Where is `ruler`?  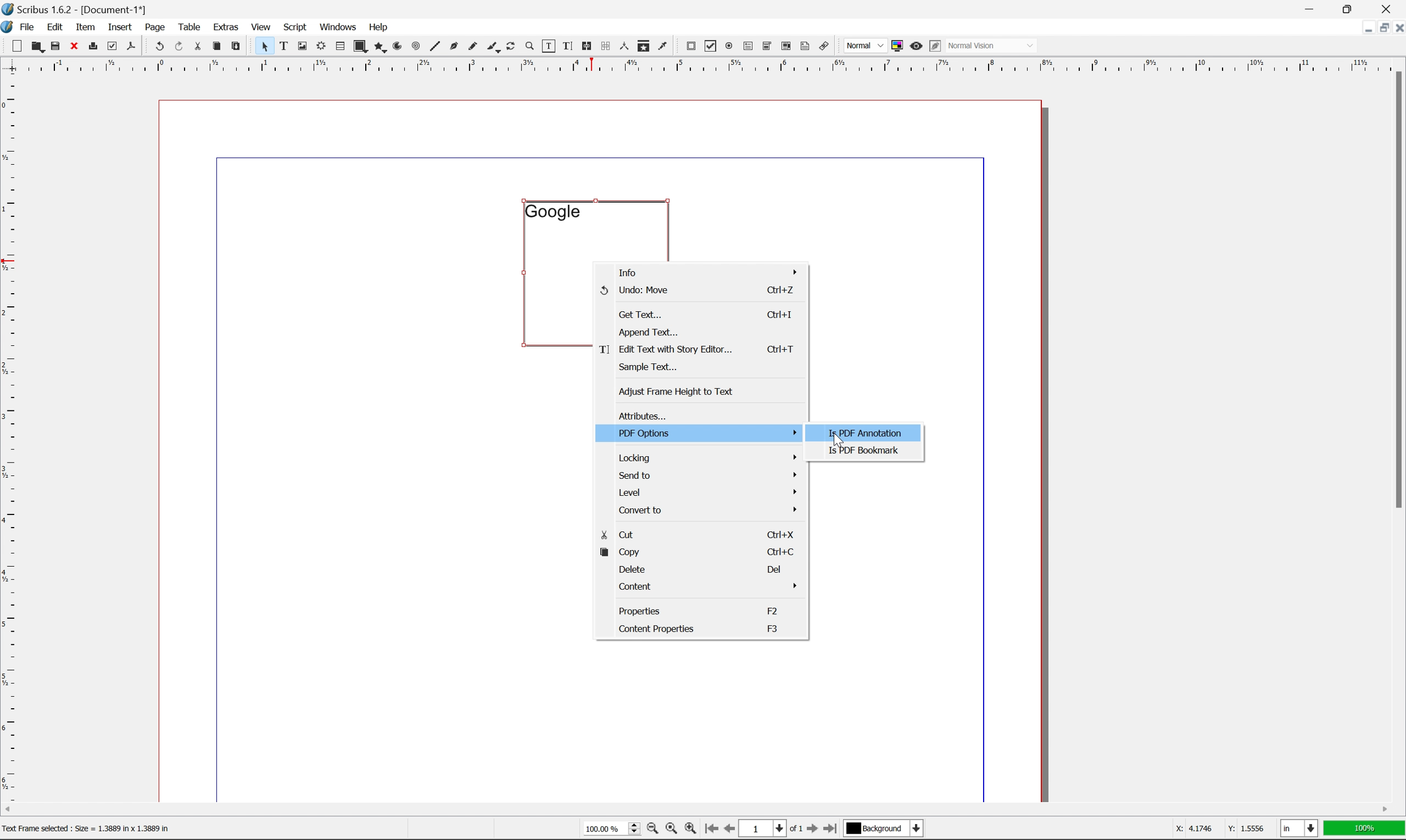
ruler is located at coordinates (10, 436).